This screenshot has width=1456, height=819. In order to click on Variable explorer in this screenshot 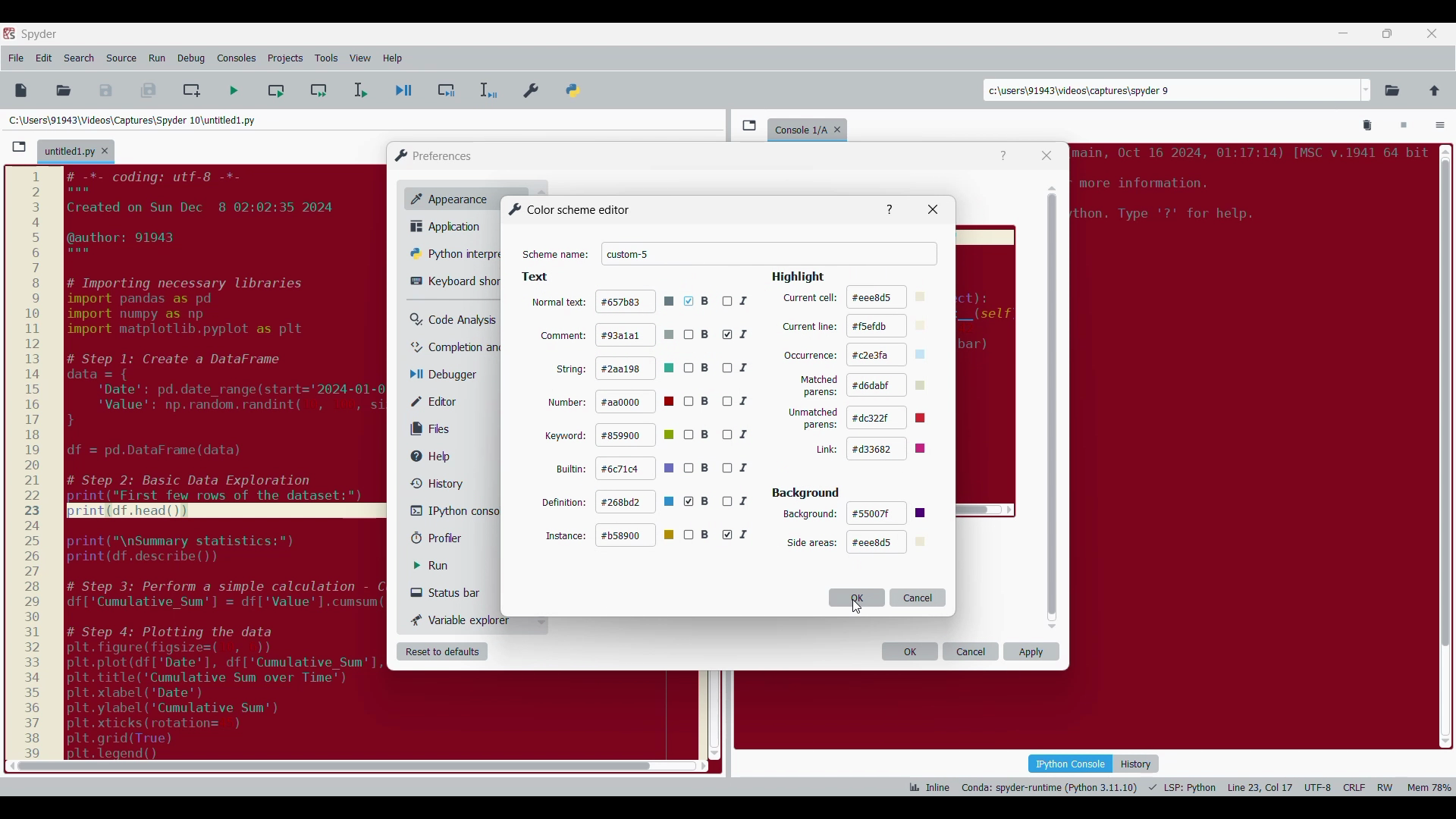, I will do `click(462, 620)`.